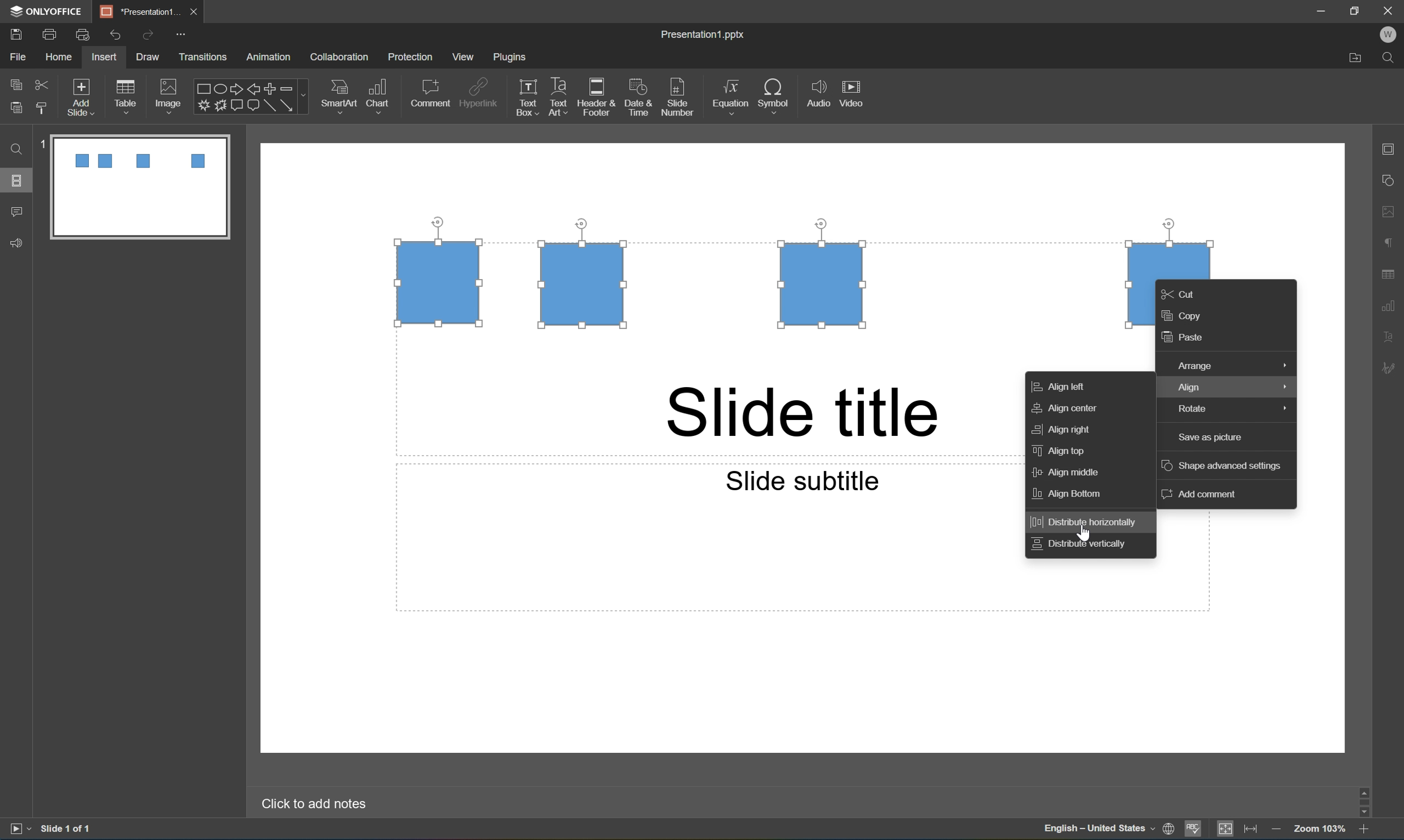  What do you see at coordinates (764, 276) in the screenshot?
I see `4 Squares selected` at bounding box center [764, 276].